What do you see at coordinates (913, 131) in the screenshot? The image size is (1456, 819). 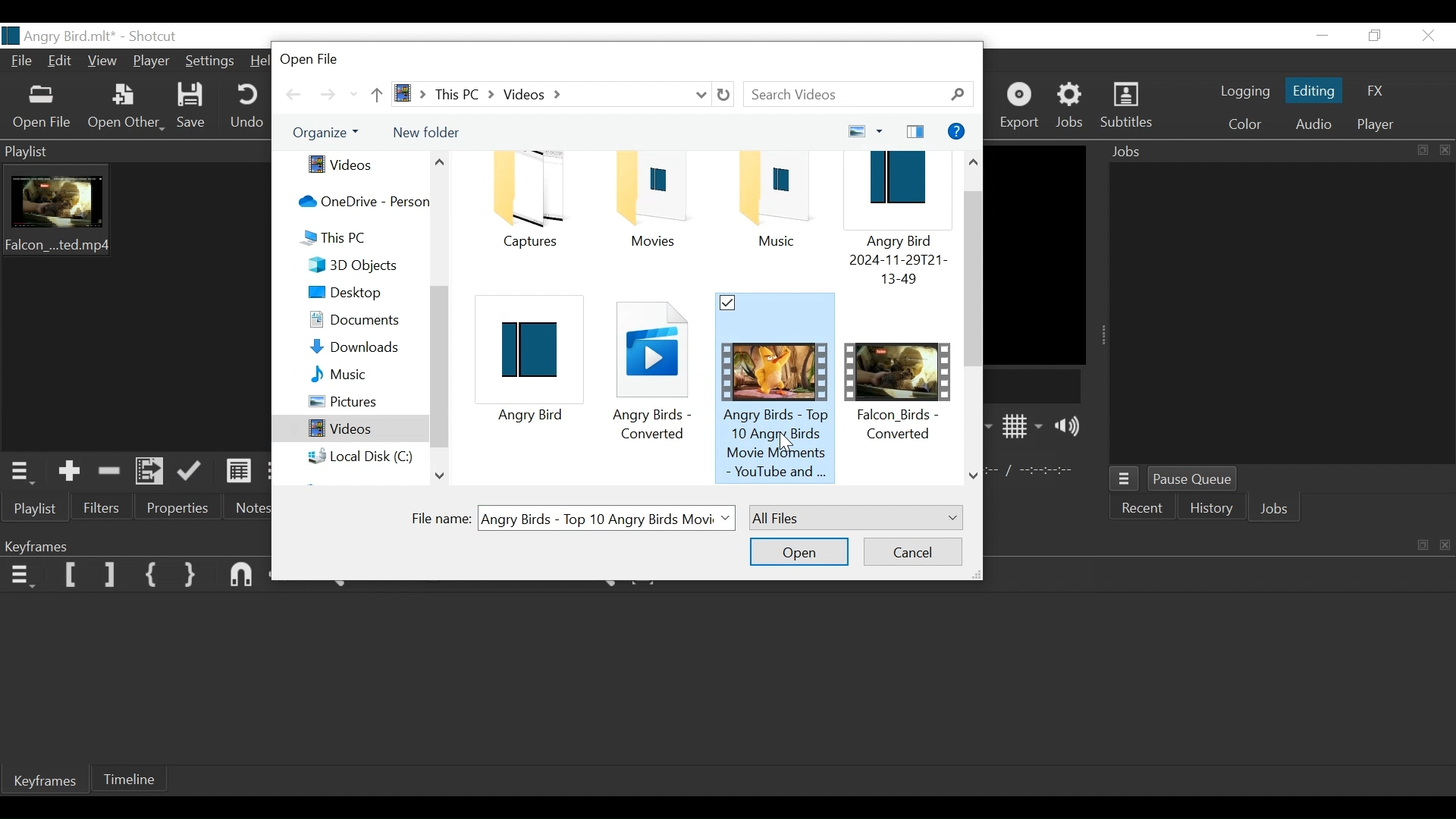 I see `Show your preview pane` at bounding box center [913, 131].